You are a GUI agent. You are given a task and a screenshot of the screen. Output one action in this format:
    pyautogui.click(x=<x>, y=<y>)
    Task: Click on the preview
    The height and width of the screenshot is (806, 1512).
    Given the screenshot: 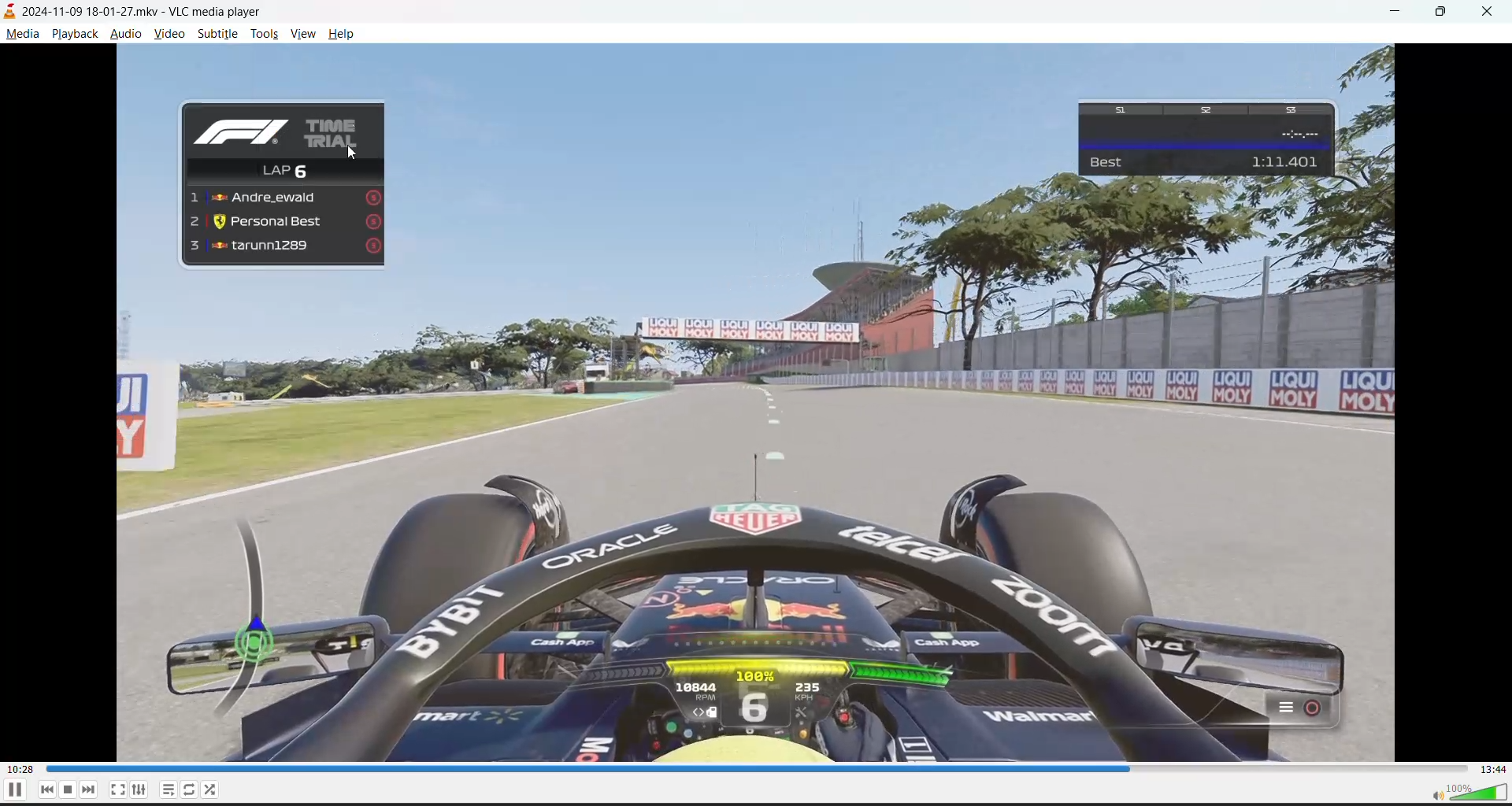 What is the action you would take?
    pyautogui.click(x=144, y=204)
    